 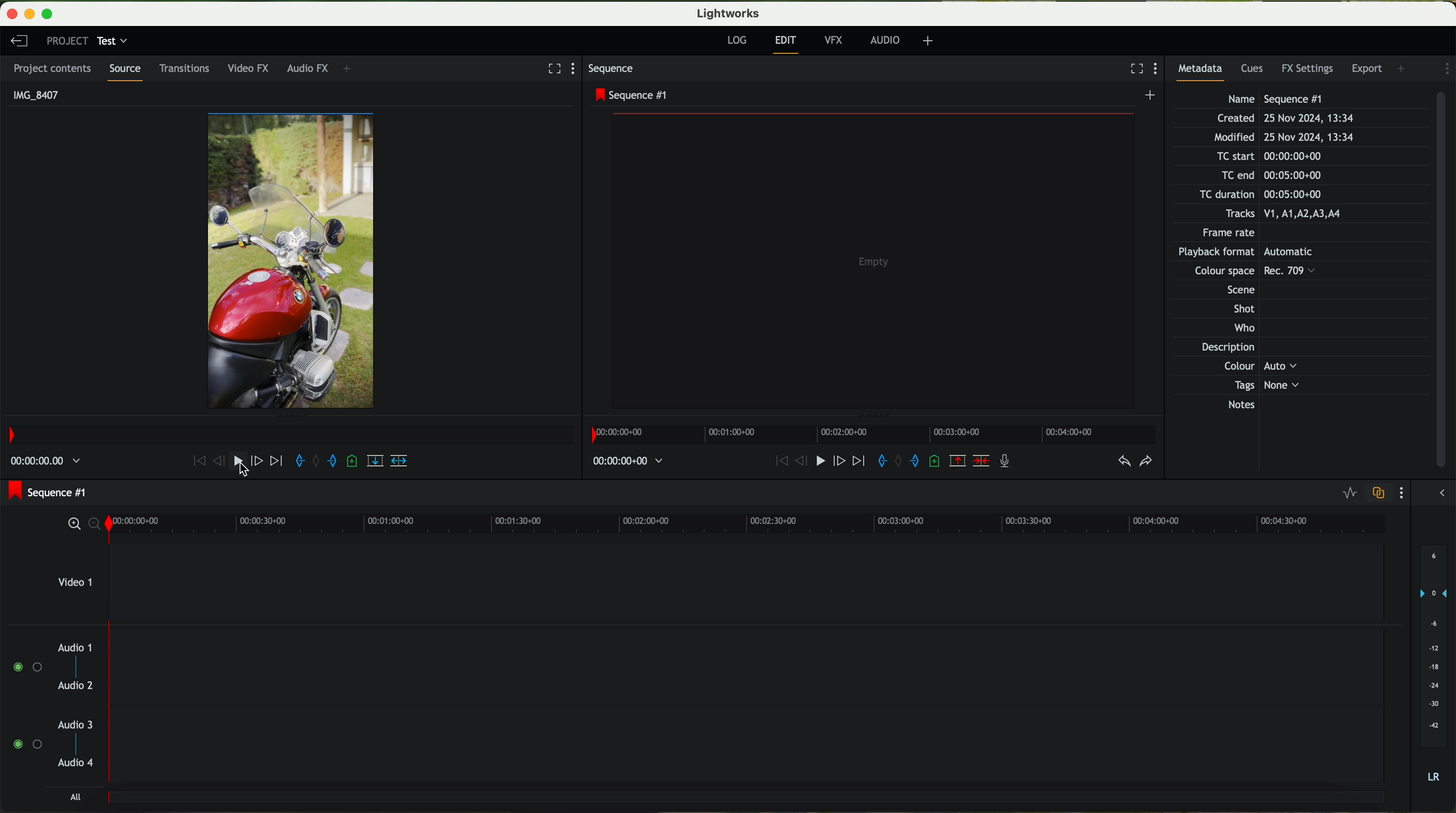 What do you see at coordinates (10, 14) in the screenshot?
I see `close program` at bounding box center [10, 14].